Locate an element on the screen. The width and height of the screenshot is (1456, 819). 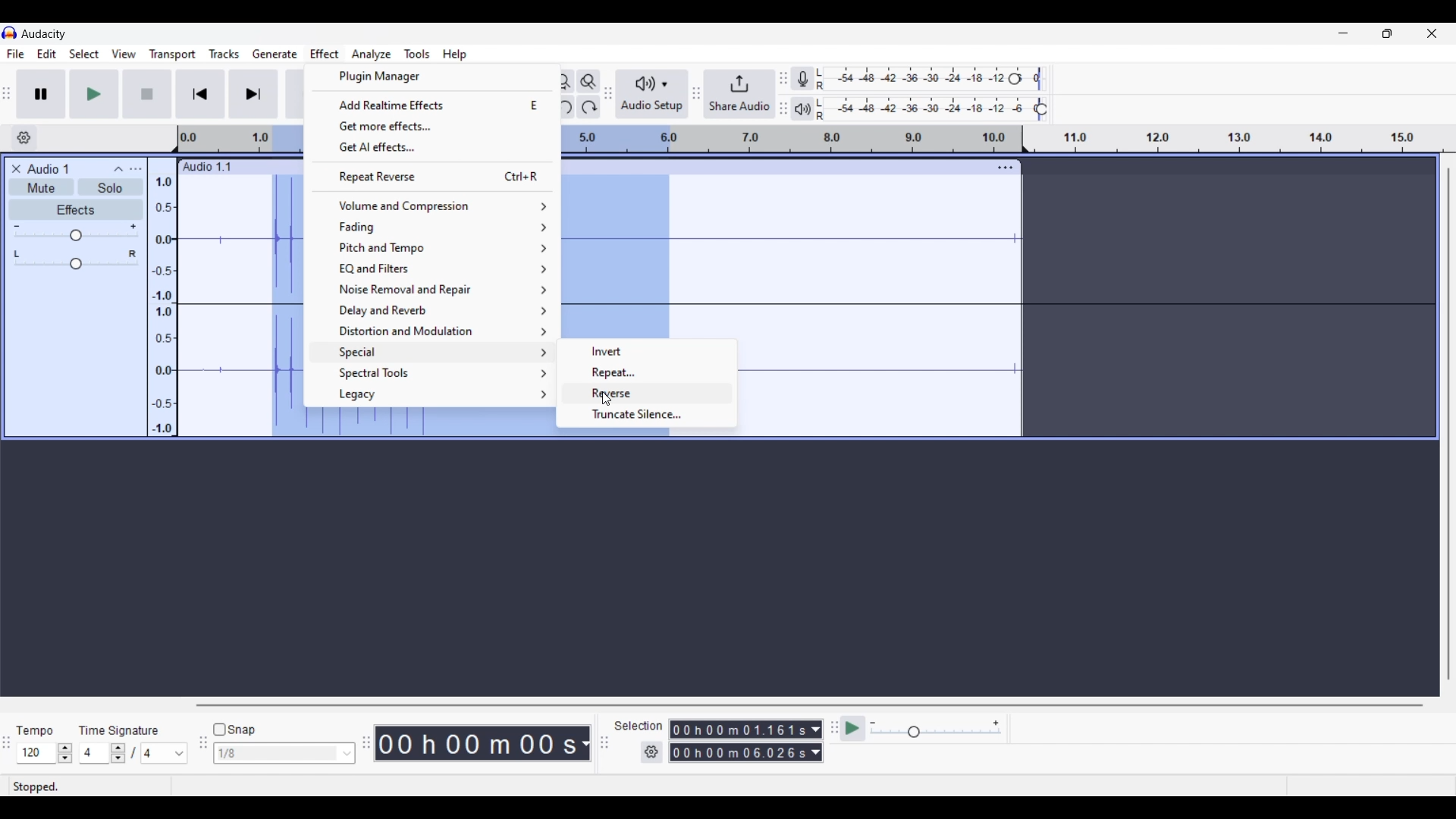
Recording level header is located at coordinates (1015, 79).